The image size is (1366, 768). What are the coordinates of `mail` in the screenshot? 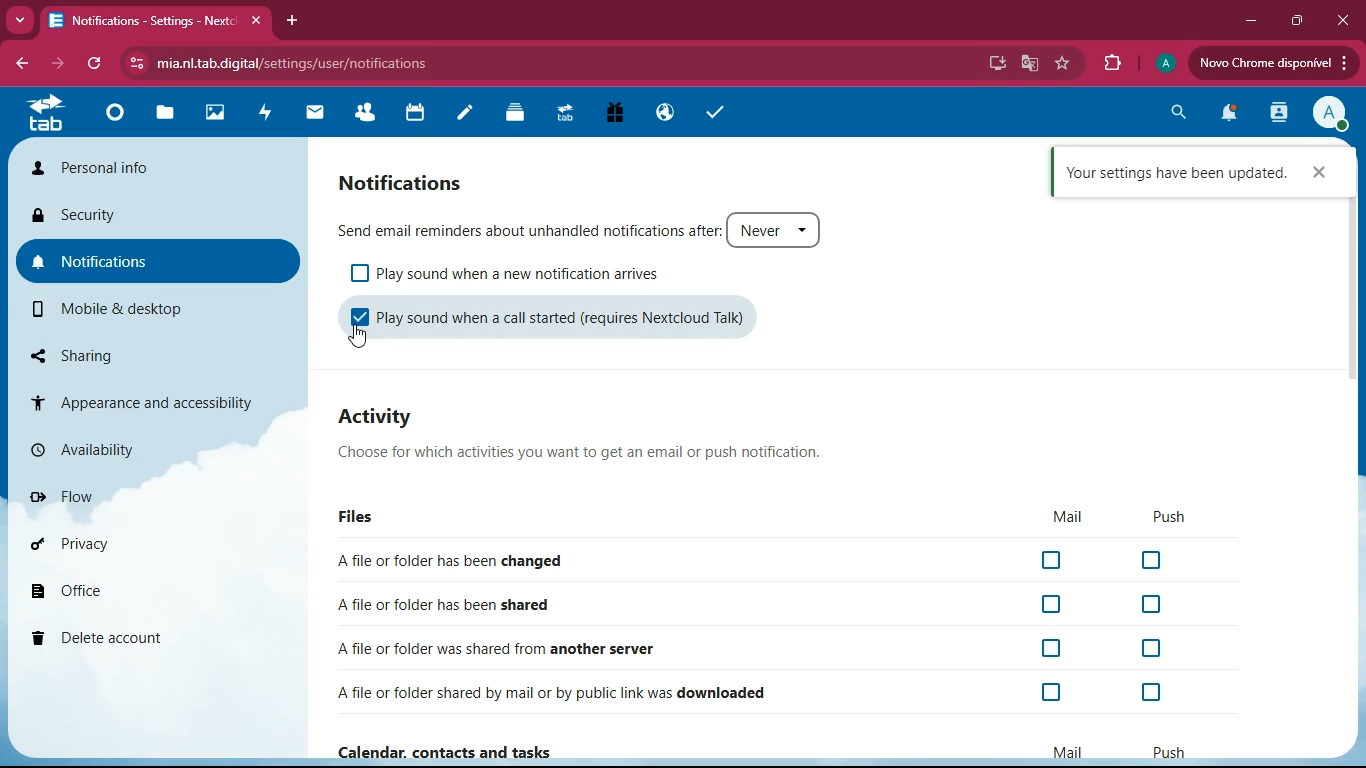 It's located at (1067, 751).